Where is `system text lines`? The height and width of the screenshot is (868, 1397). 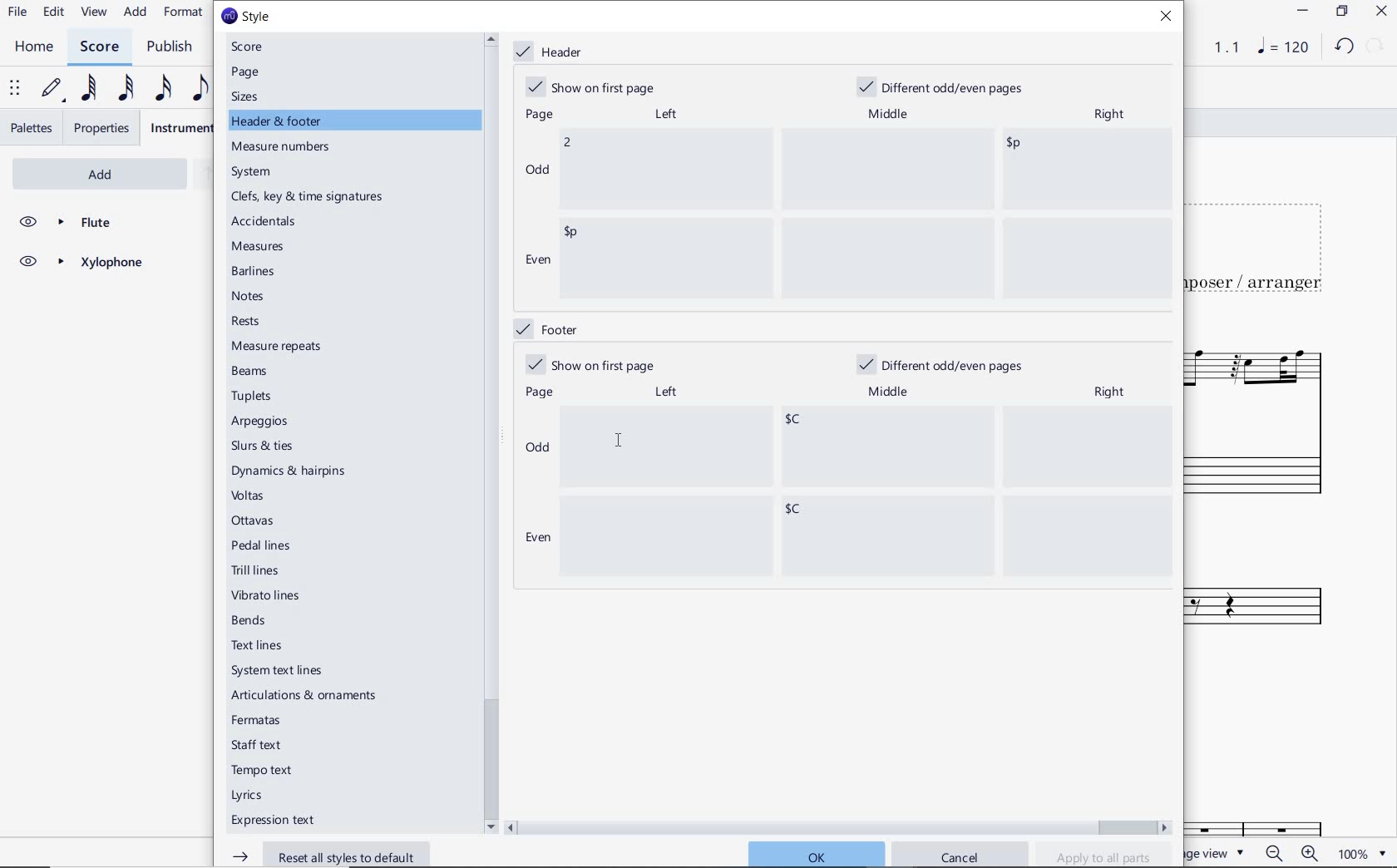 system text lines is located at coordinates (279, 670).